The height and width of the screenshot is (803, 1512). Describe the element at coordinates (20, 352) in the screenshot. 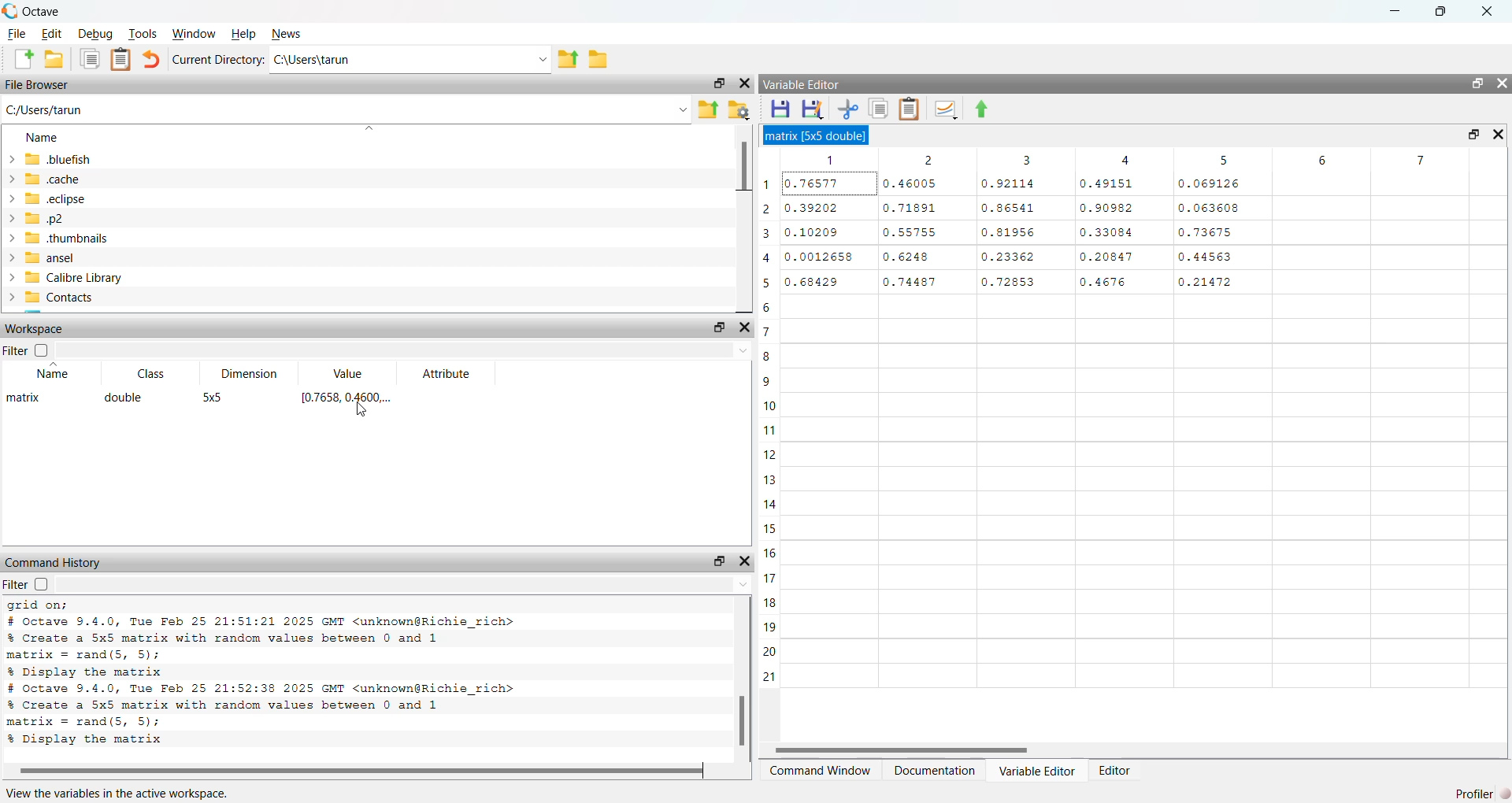

I see `Filter |` at that location.